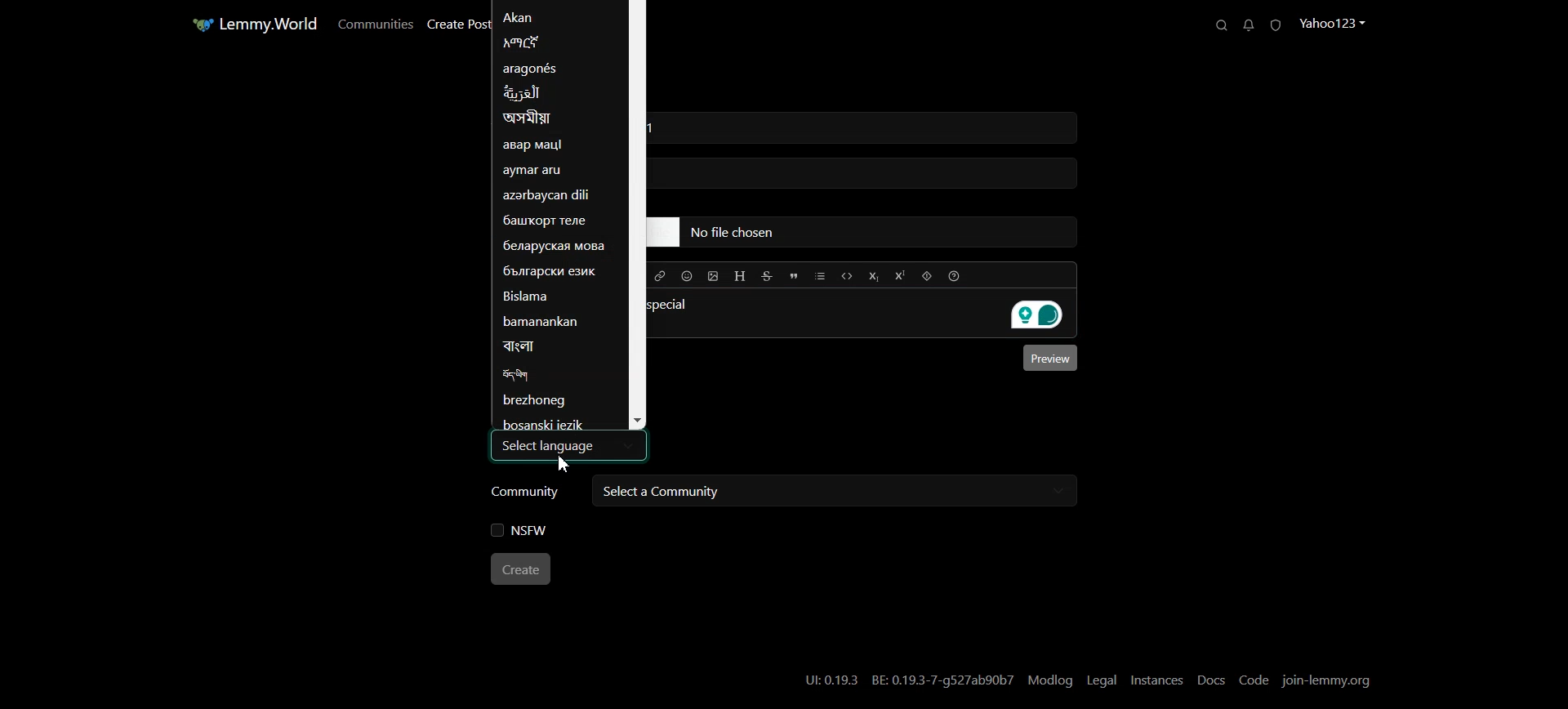  Describe the element at coordinates (954, 275) in the screenshot. I see `Formatting help` at that location.